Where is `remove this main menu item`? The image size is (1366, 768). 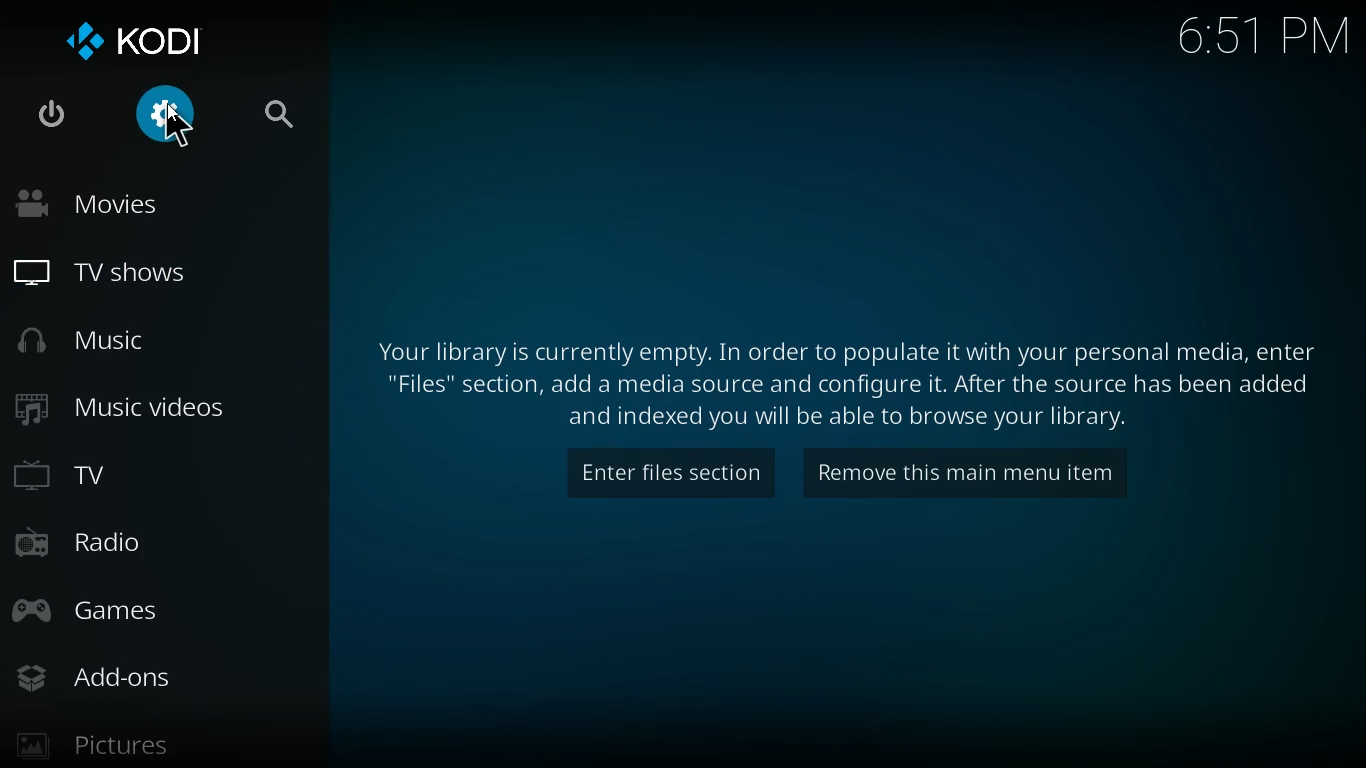 remove this main menu item is located at coordinates (984, 473).